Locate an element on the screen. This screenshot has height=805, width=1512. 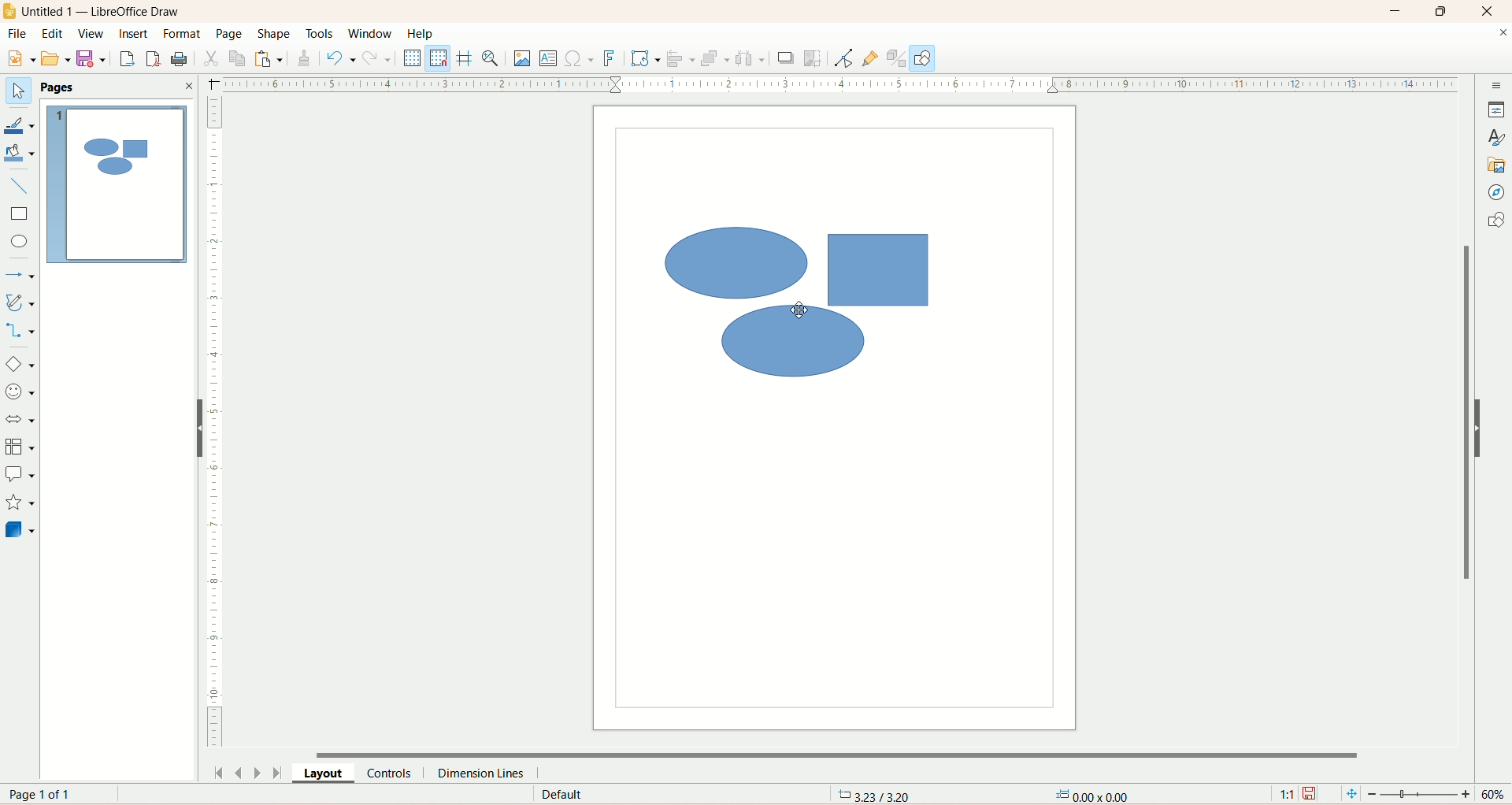
symbol shapes is located at coordinates (19, 395).